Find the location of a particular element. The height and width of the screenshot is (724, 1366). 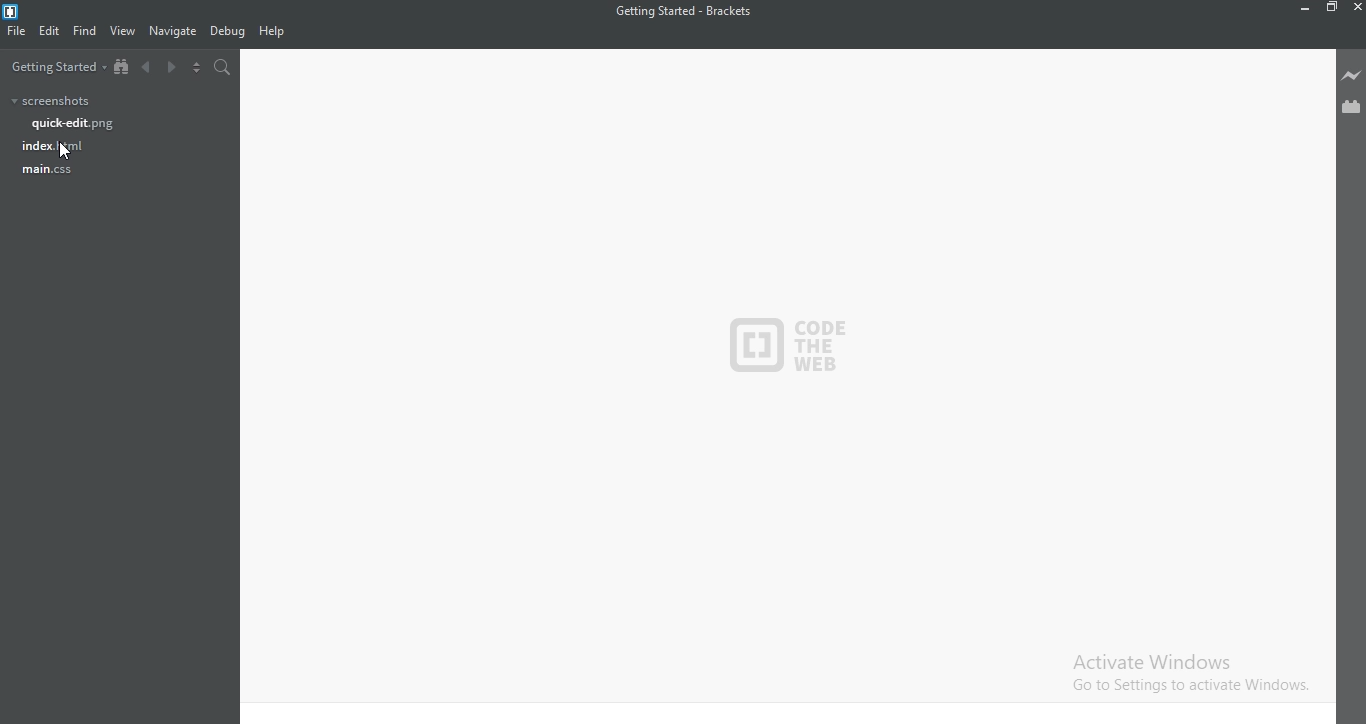

screenshots is located at coordinates (51, 102).